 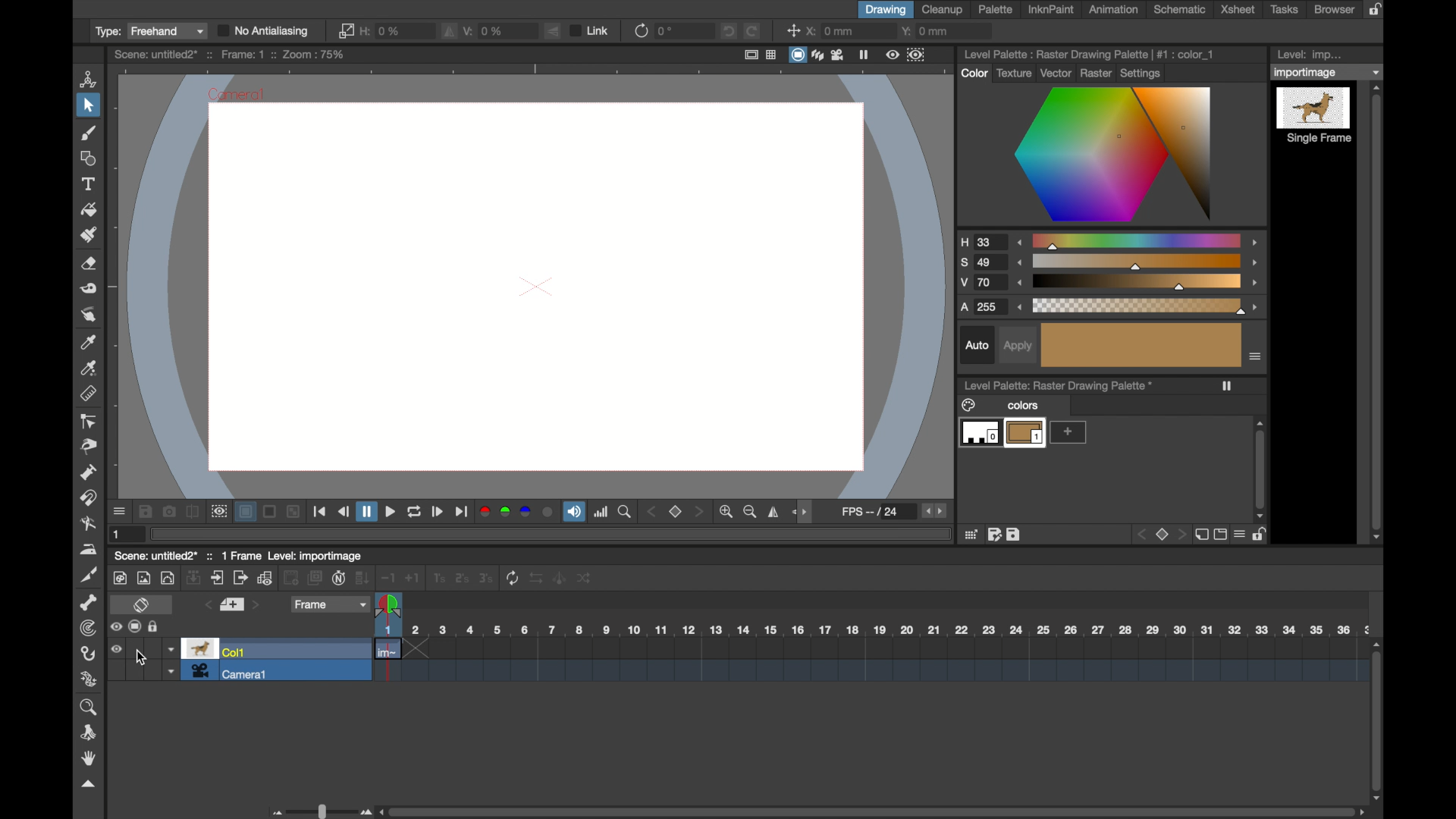 What do you see at coordinates (627, 513) in the screenshot?
I see `zoom` at bounding box center [627, 513].